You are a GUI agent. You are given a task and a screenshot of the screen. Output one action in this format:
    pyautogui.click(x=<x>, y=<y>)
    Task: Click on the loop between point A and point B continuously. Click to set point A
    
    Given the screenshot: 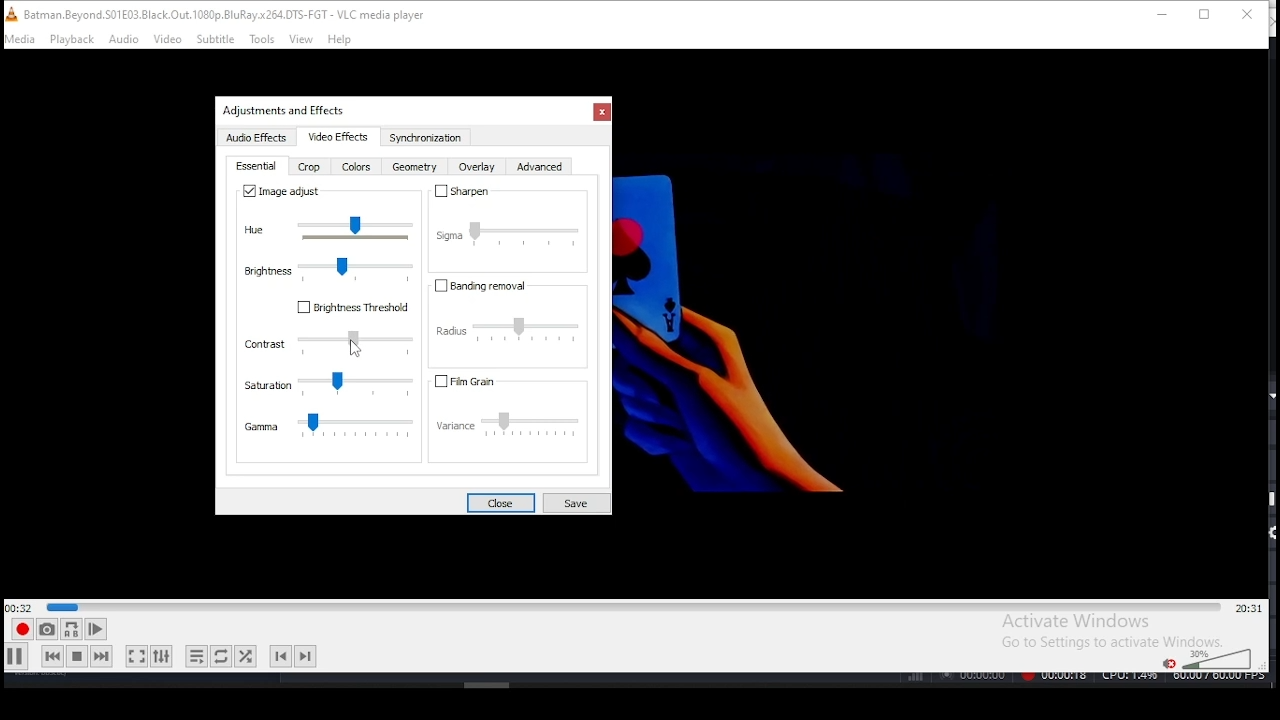 What is the action you would take?
    pyautogui.click(x=69, y=630)
    